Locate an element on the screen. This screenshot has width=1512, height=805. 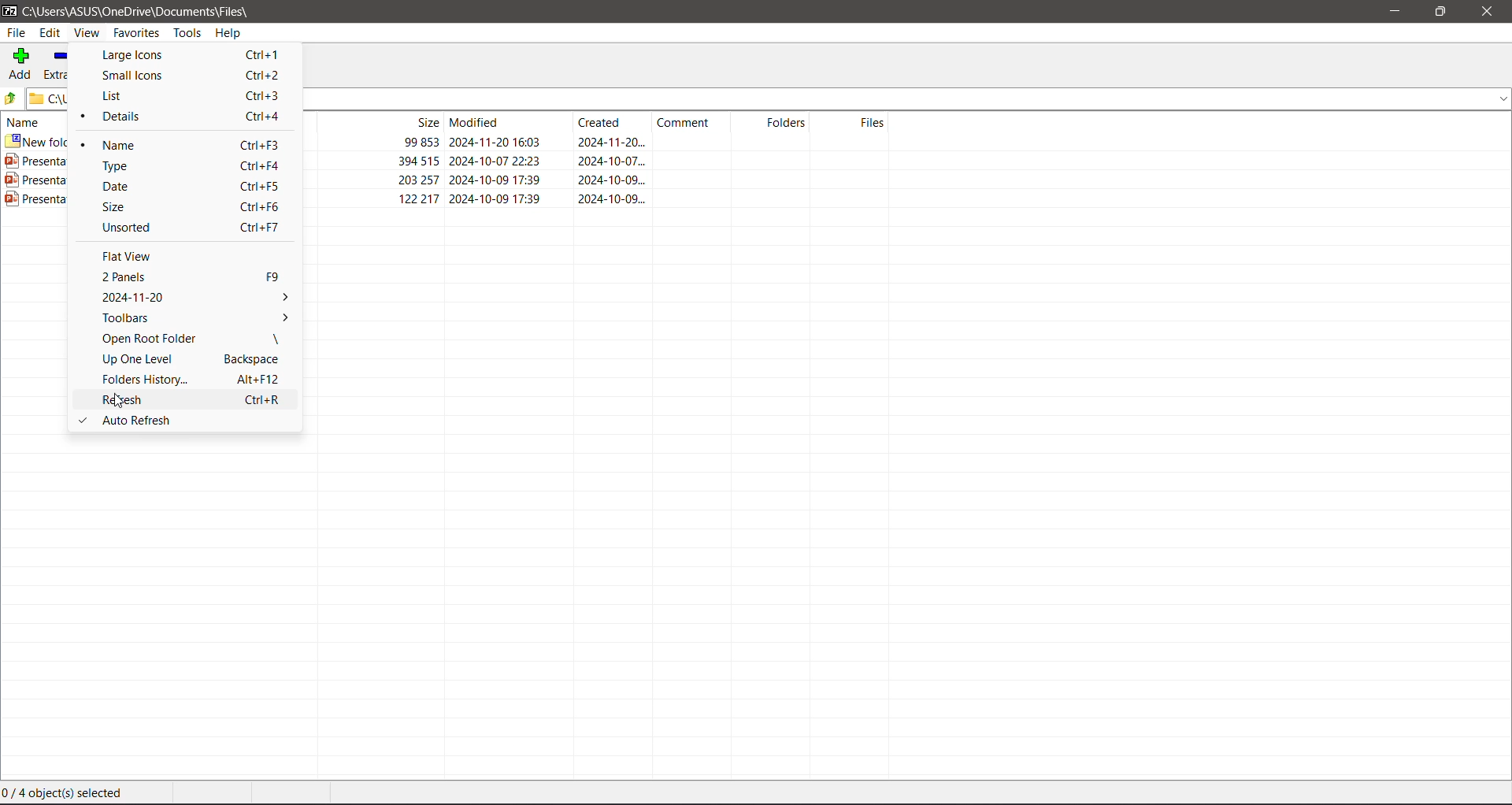
Size is located at coordinates (137, 206).